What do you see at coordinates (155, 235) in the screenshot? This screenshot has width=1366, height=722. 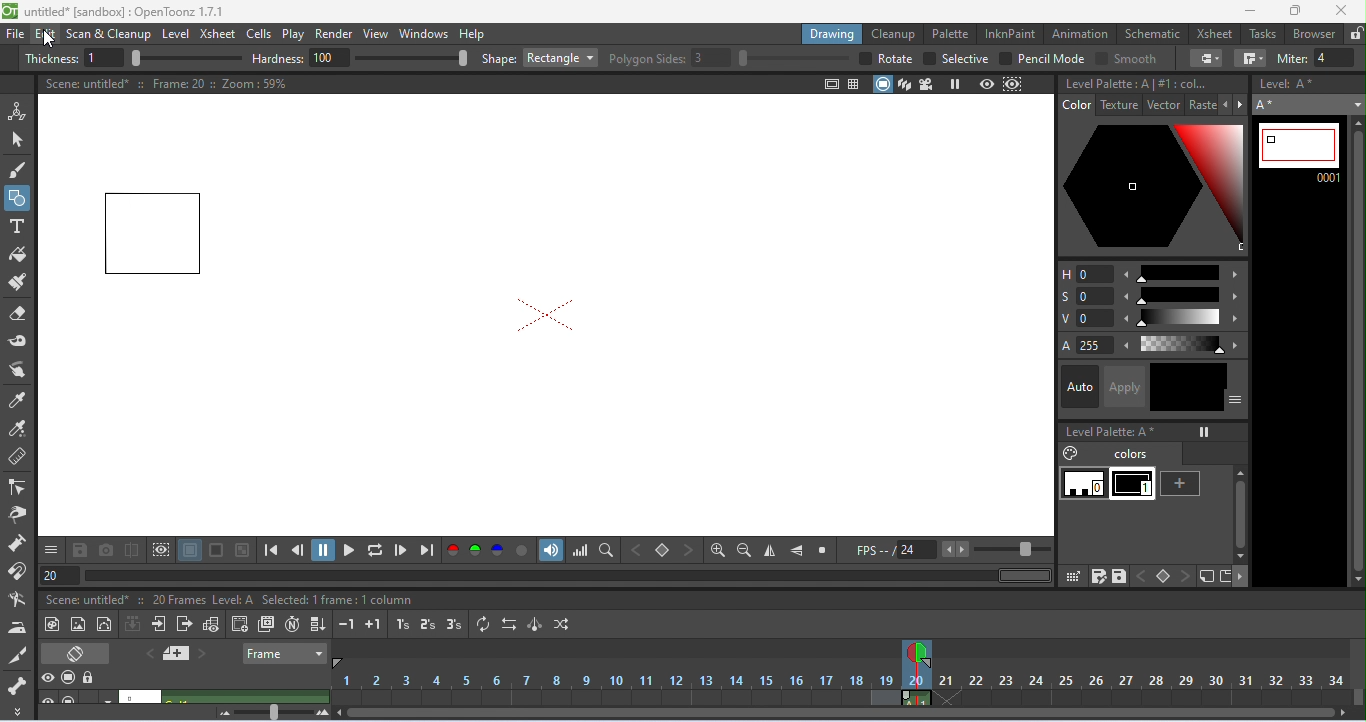 I see `rectangle` at bounding box center [155, 235].